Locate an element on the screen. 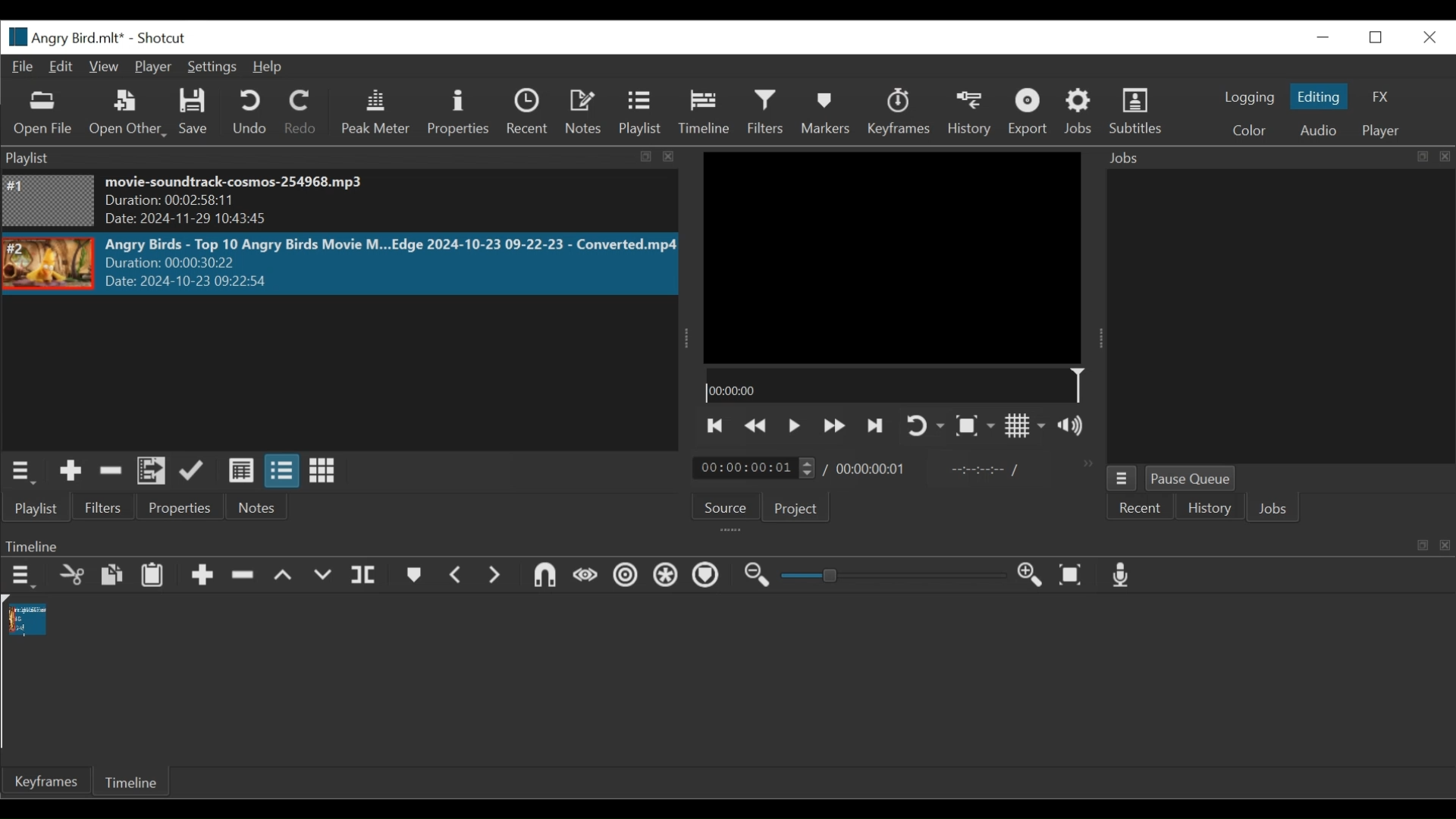 The height and width of the screenshot is (819, 1456). Properties is located at coordinates (458, 111).